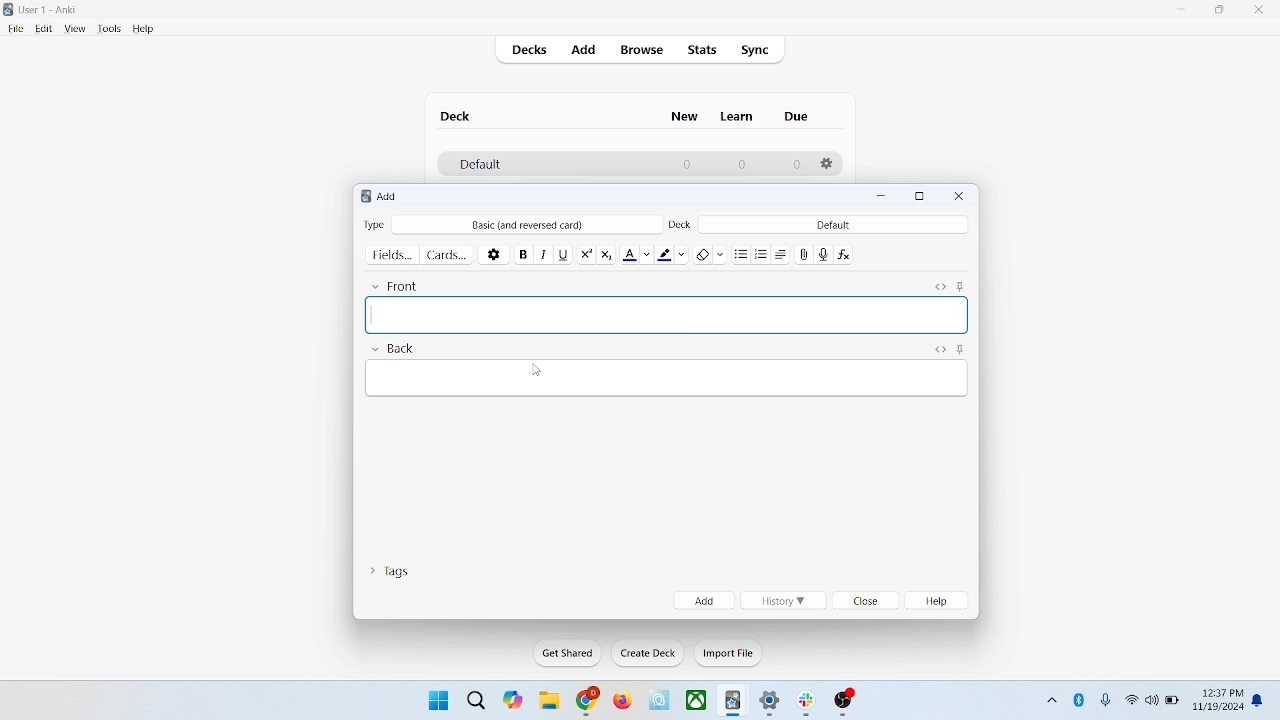  I want to click on close, so click(1263, 12).